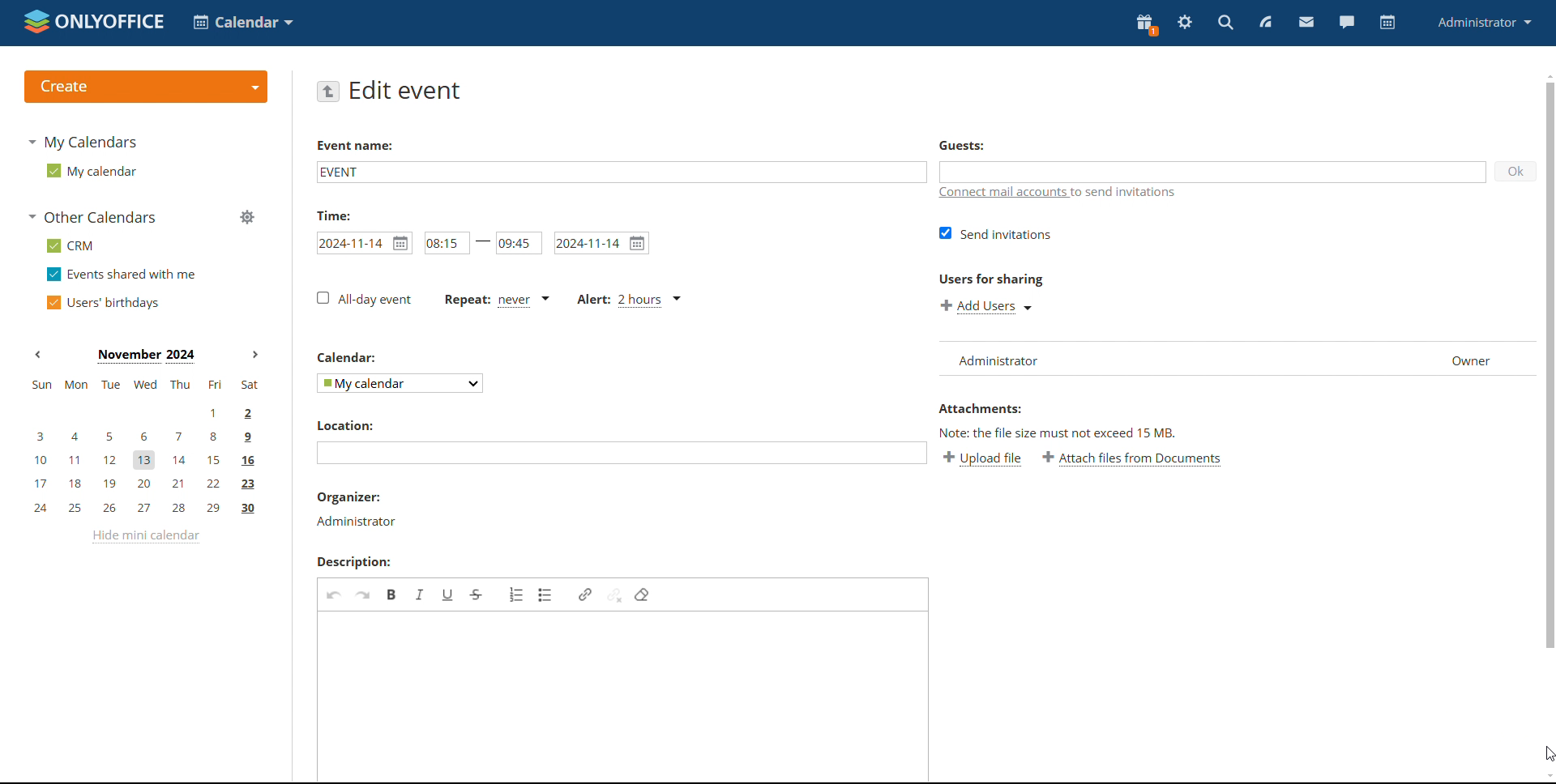 Image resolution: width=1556 pixels, height=784 pixels. What do you see at coordinates (90, 217) in the screenshot?
I see `other calendars` at bounding box center [90, 217].